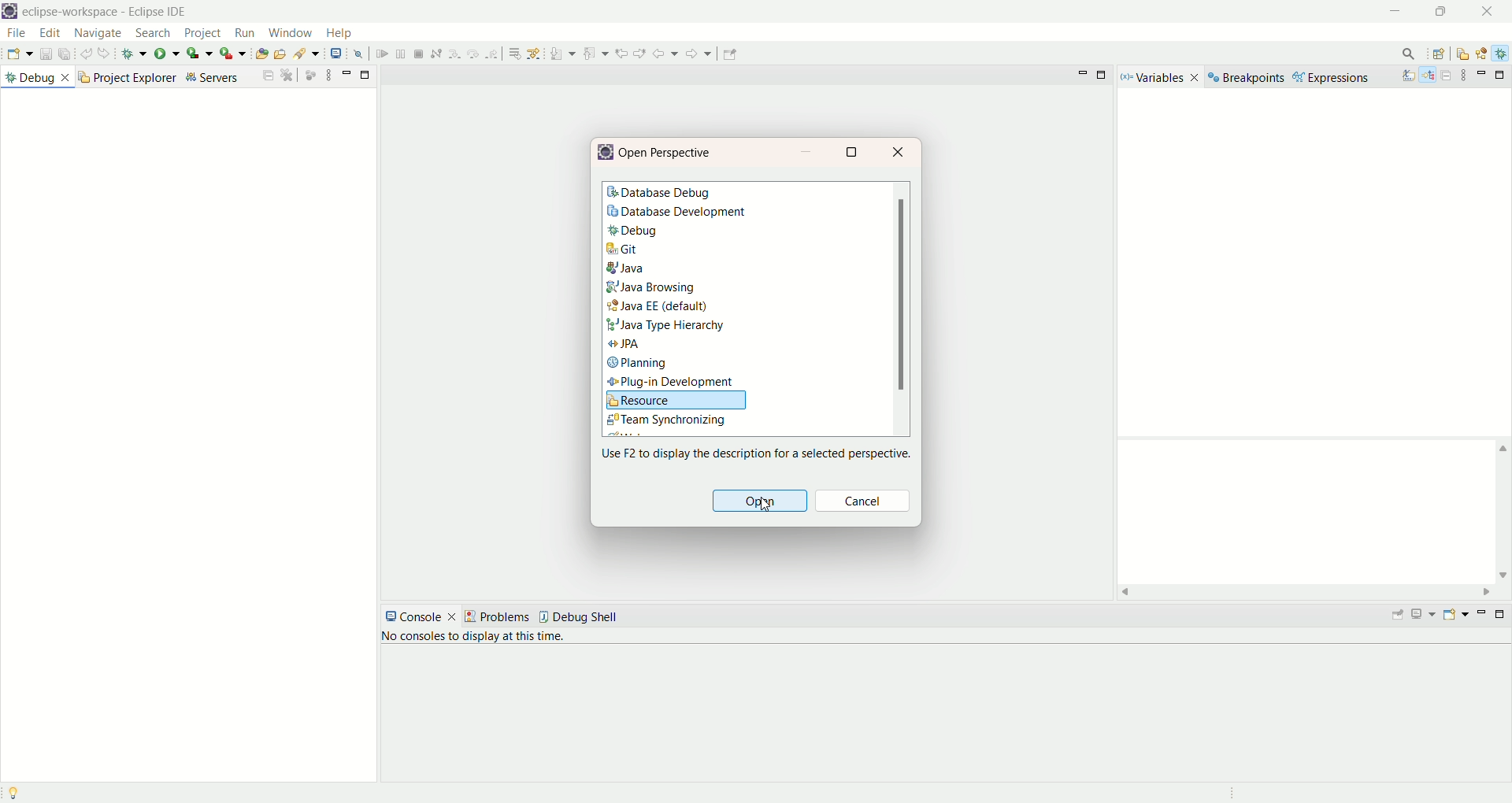 The image size is (1512, 803). Describe the element at coordinates (626, 346) in the screenshot. I see `JPA ` at that location.